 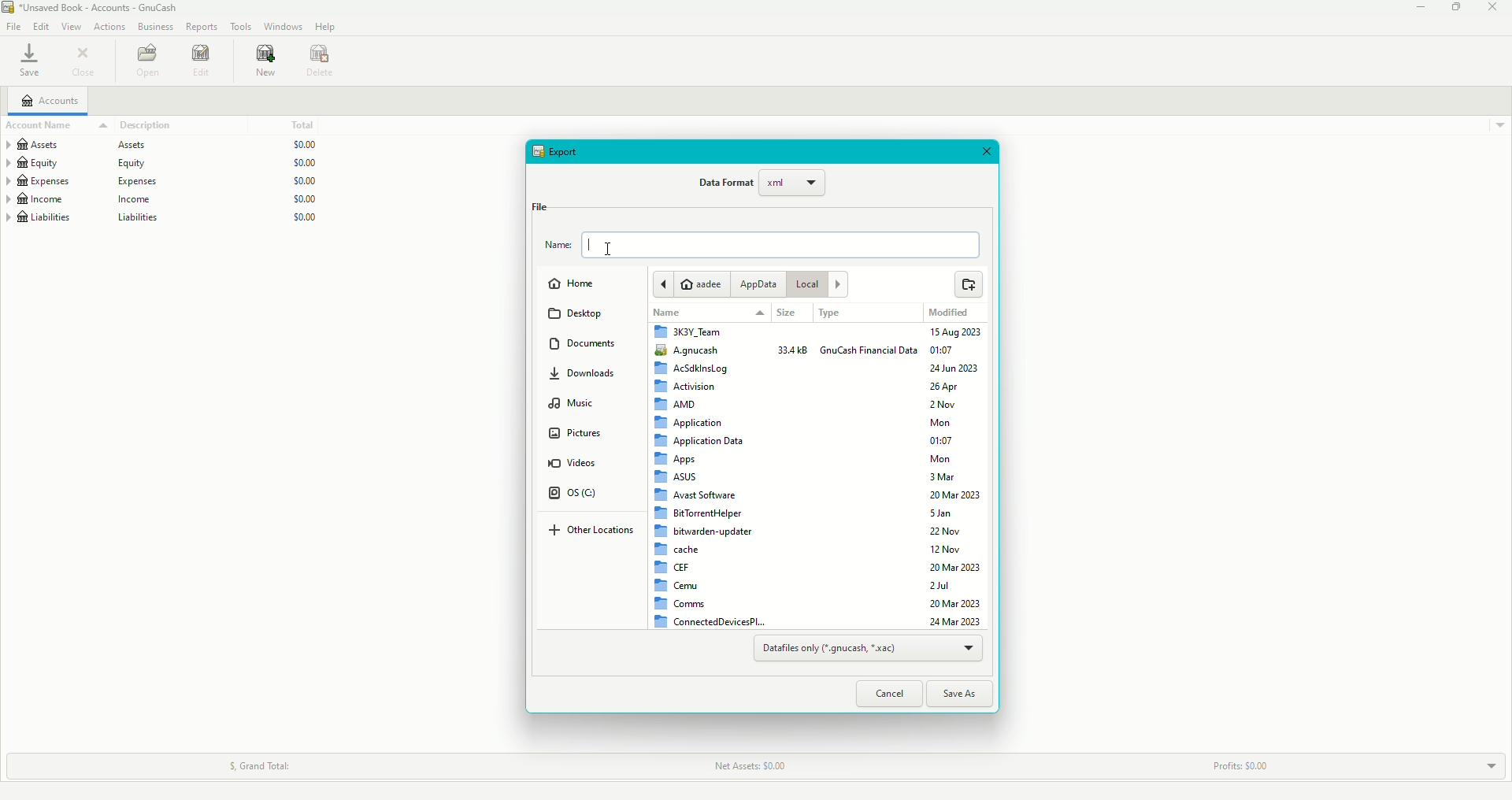 What do you see at coordinates (958, 475) in the screenshot?
I see `Dates` at bounding box center [958, 475].